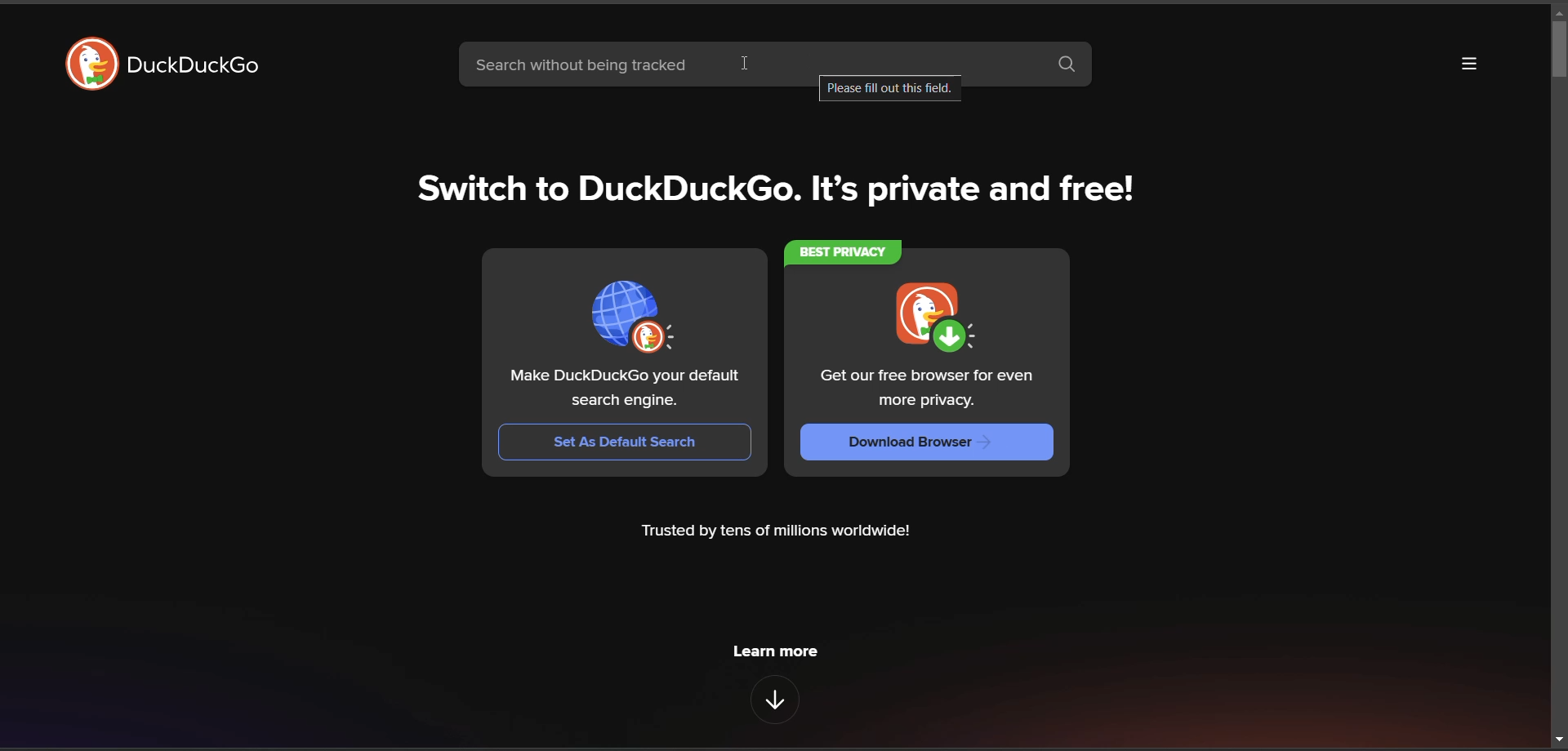  What do you see at coordinates (158, 67) in the screenshot?
I see `logo and title` at bounding box center [158, 67].